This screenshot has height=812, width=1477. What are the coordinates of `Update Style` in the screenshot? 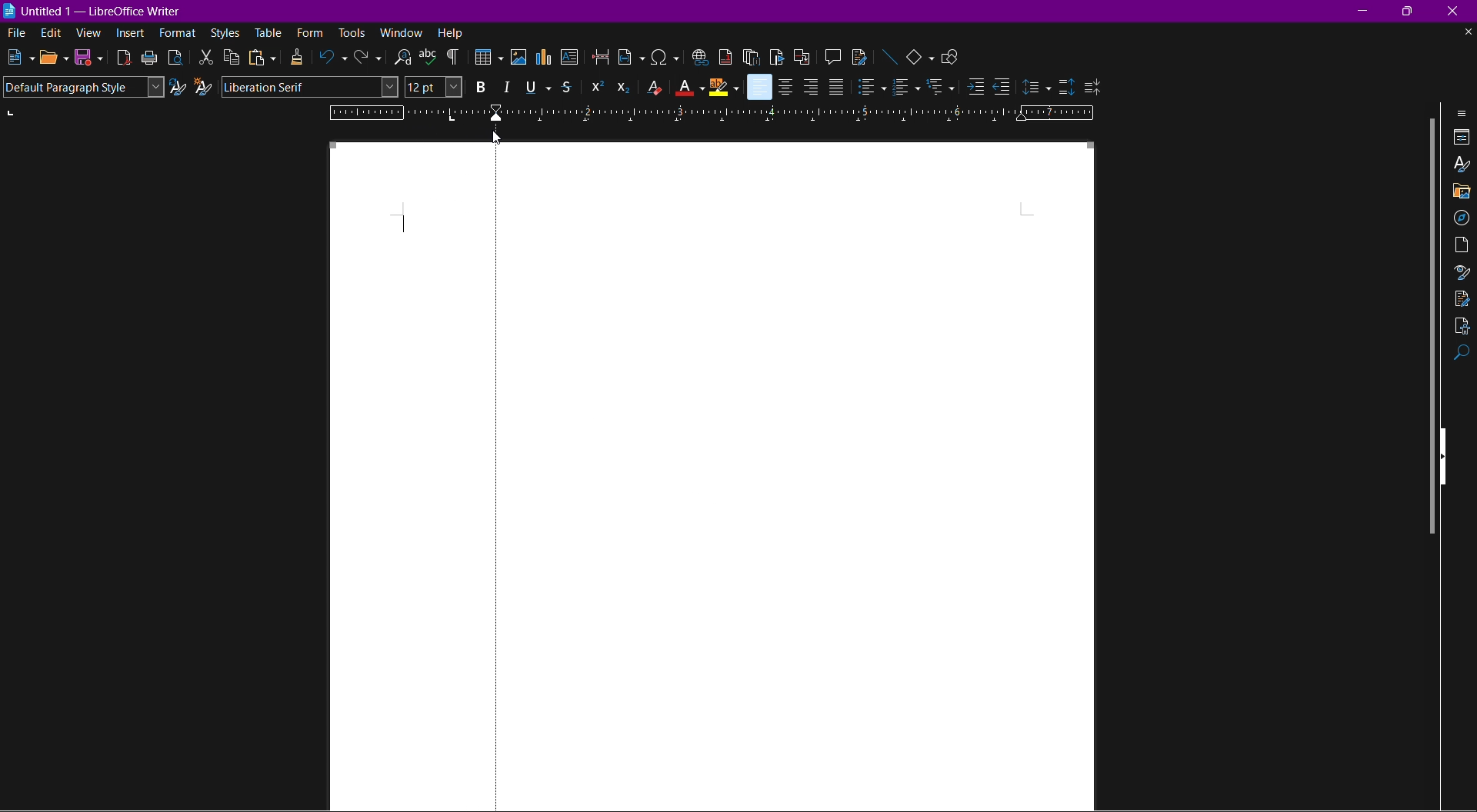 It's located at (178, 88).